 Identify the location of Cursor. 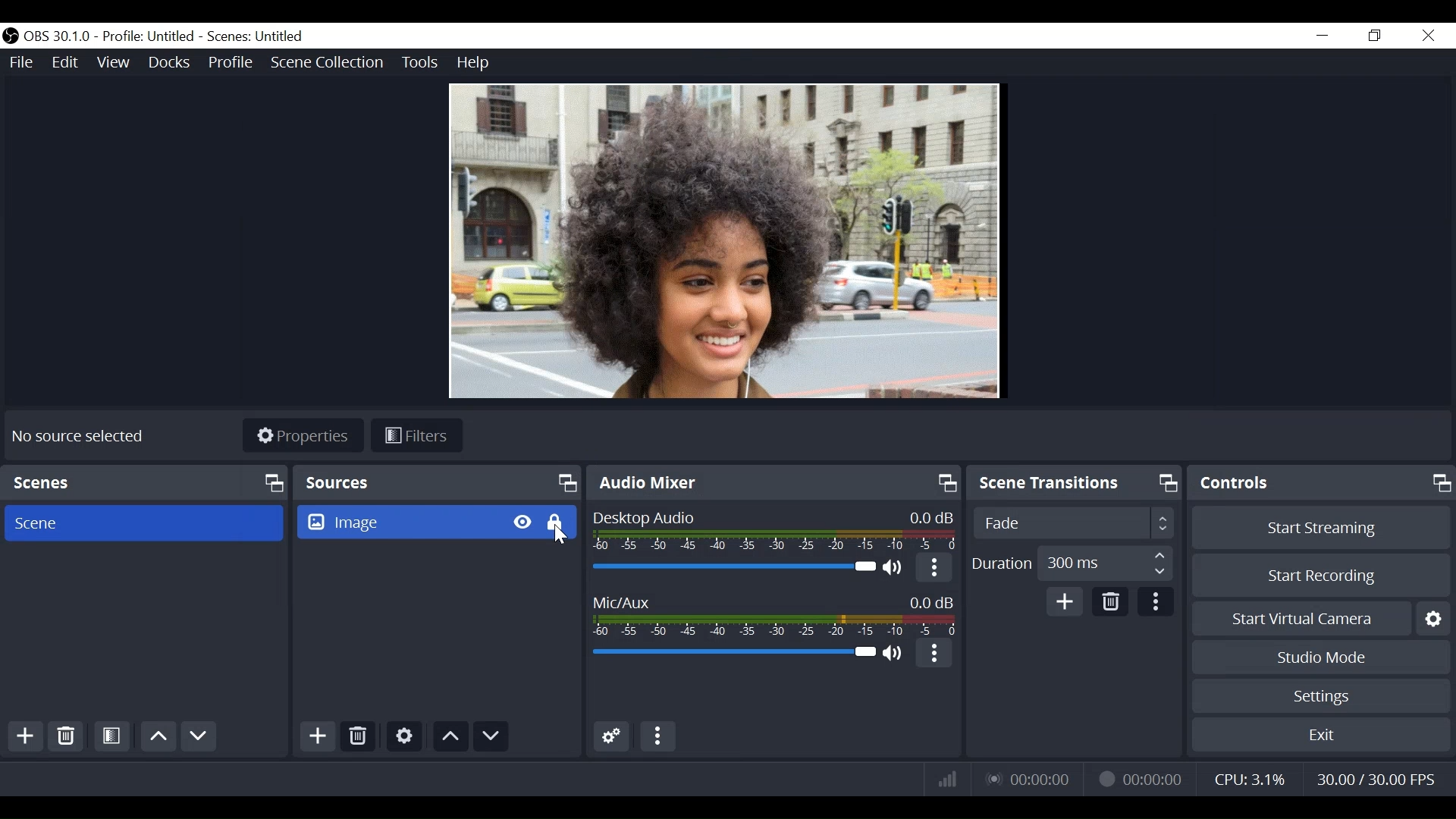
(558, 538).